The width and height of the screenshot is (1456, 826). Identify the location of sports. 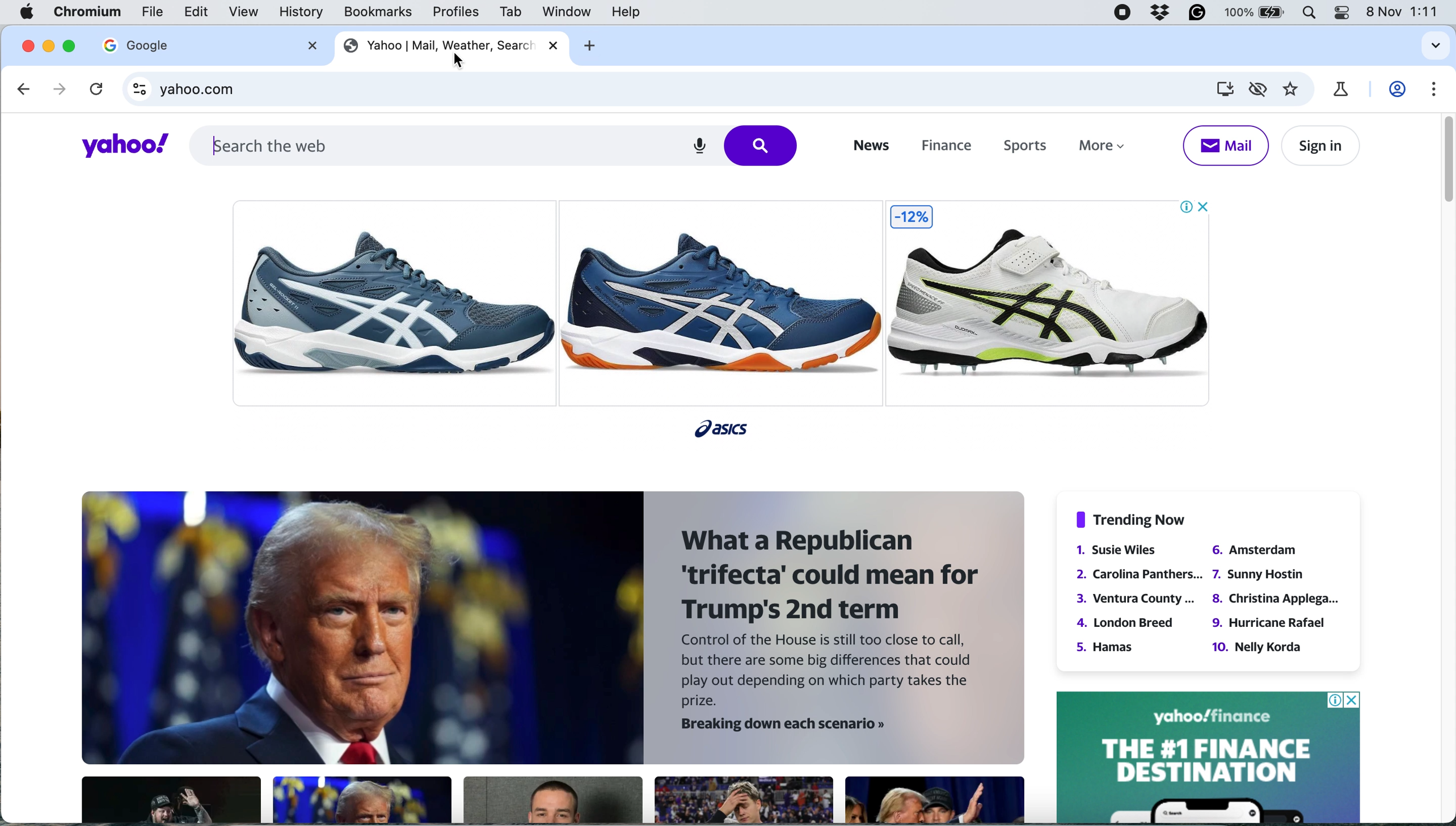
(1020, 147).